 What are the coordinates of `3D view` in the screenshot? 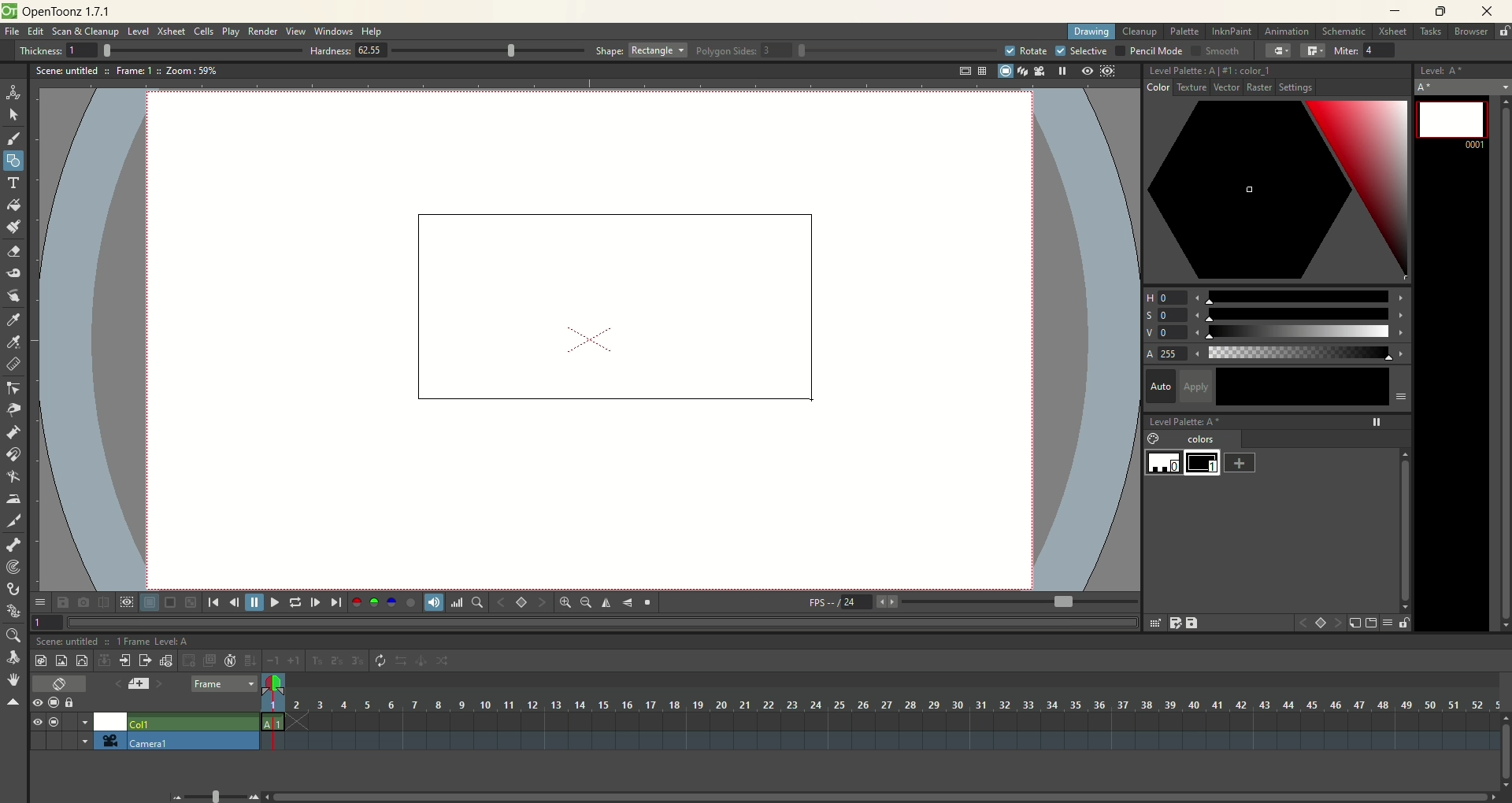 It's located at (1020, 72).